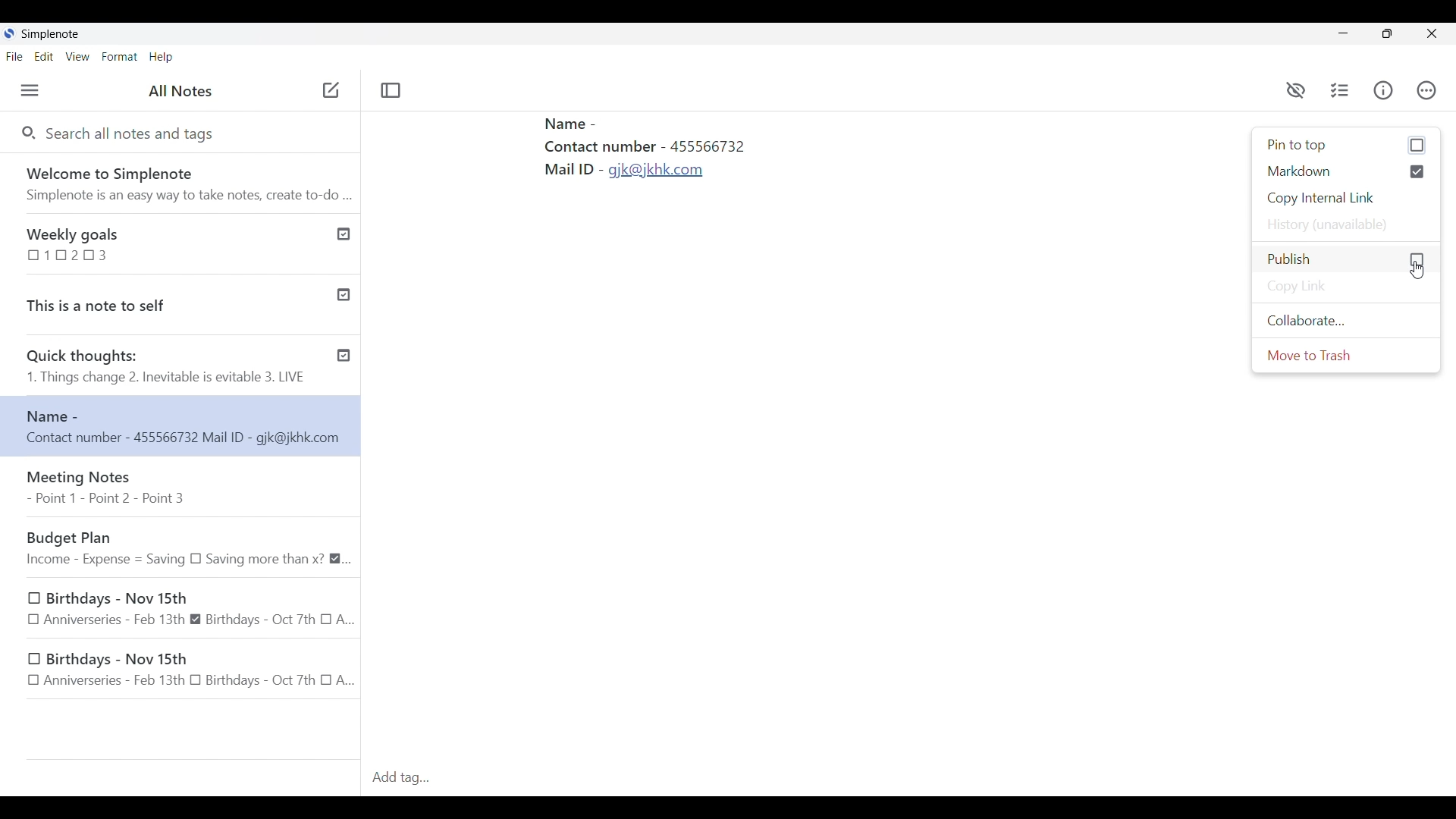 The image size is (1456, 819). Describe the element at coordinates (1347, 171) in the screenshot. I see `Click to Markdown` at that location.